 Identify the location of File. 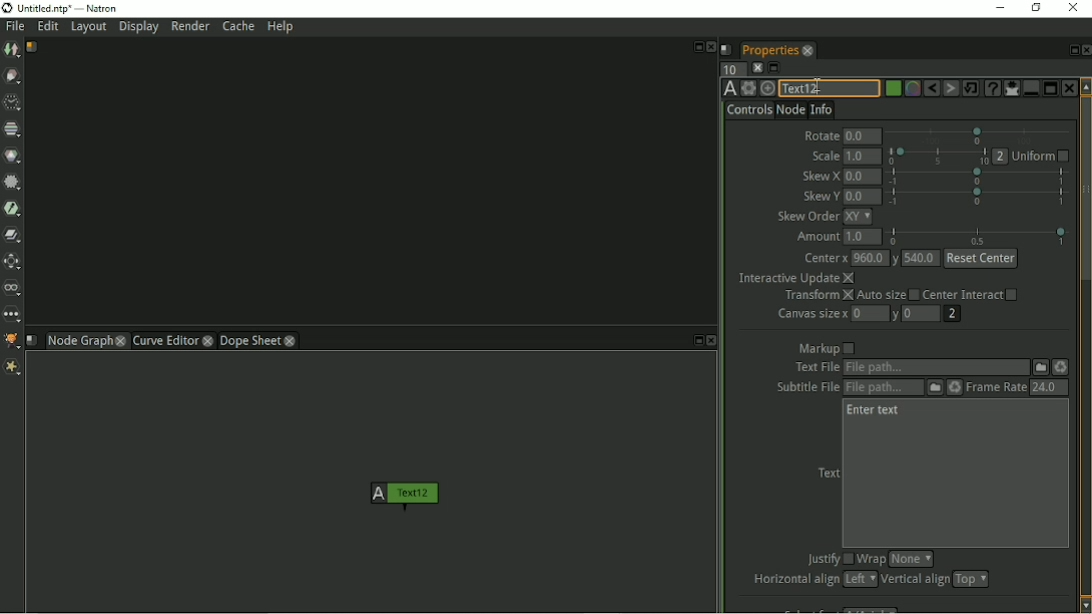
(1041, 366).